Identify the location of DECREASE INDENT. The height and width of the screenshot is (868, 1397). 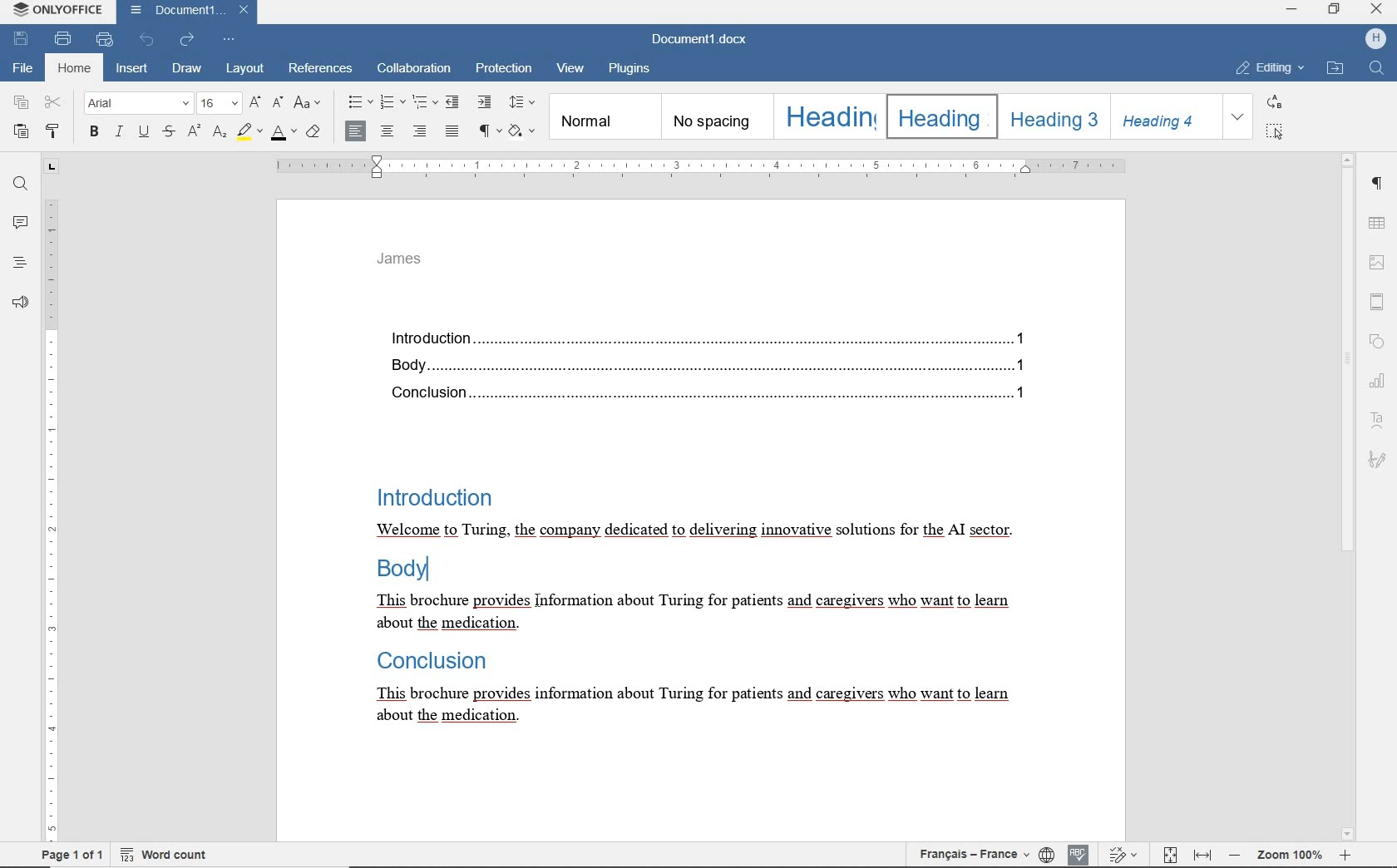
(455, 101).